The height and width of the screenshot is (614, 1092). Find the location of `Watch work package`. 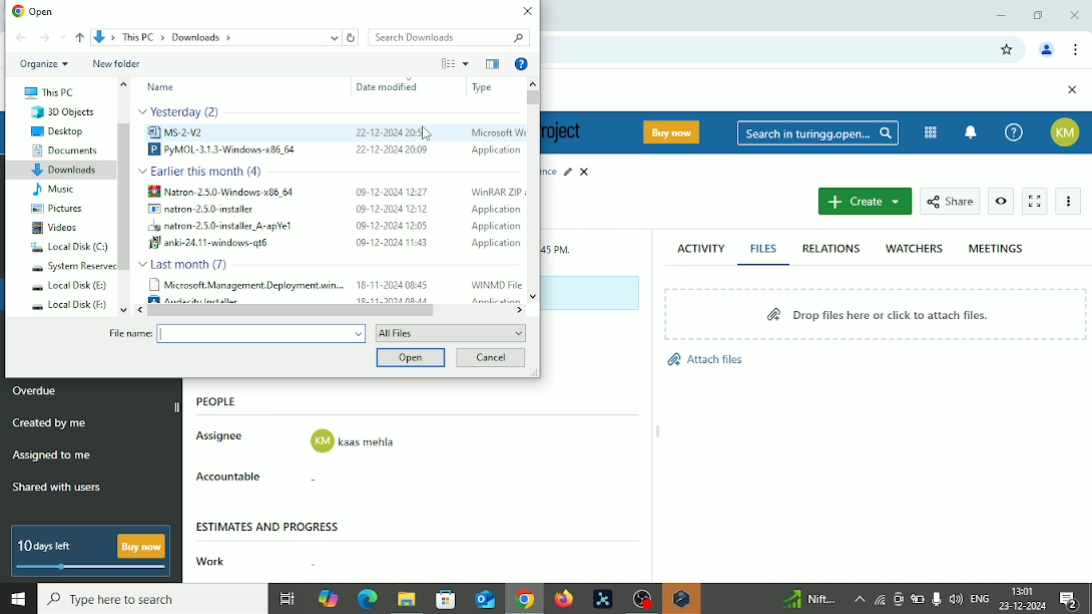

Watch work package is located at coordinates (1002, 201).